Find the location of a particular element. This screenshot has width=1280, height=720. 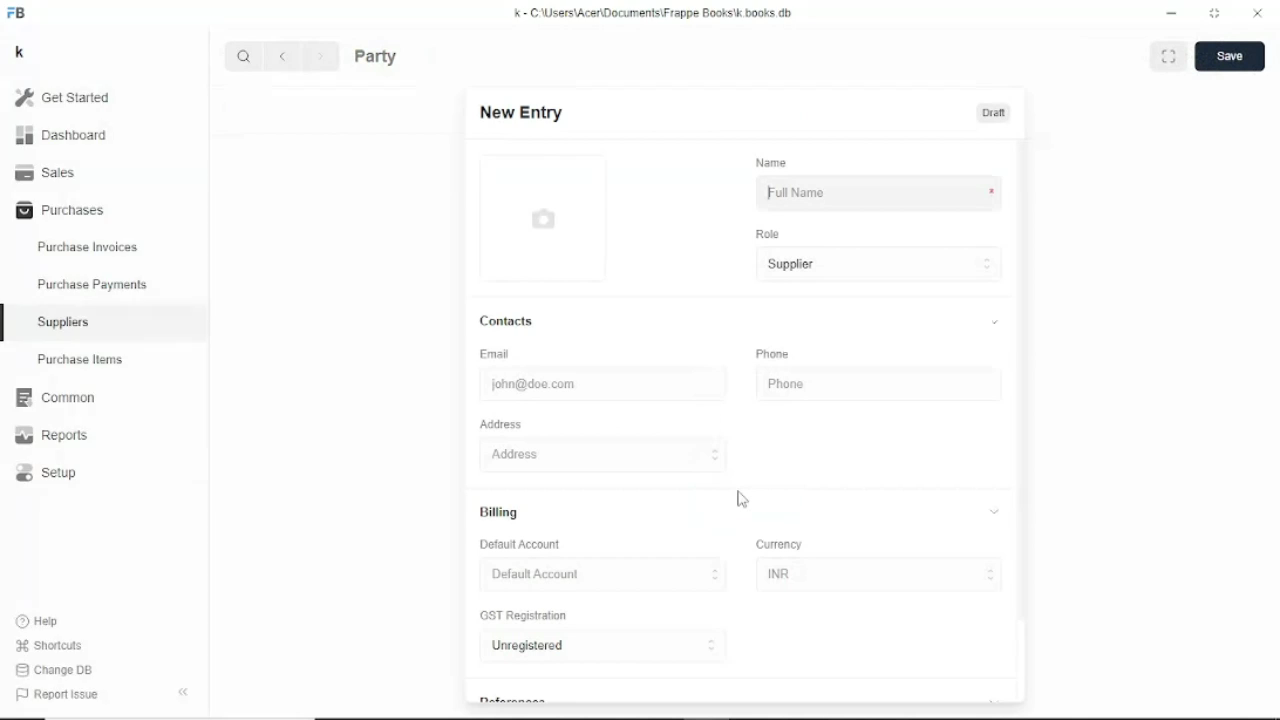

Default account is located at coordinates (603, 575).